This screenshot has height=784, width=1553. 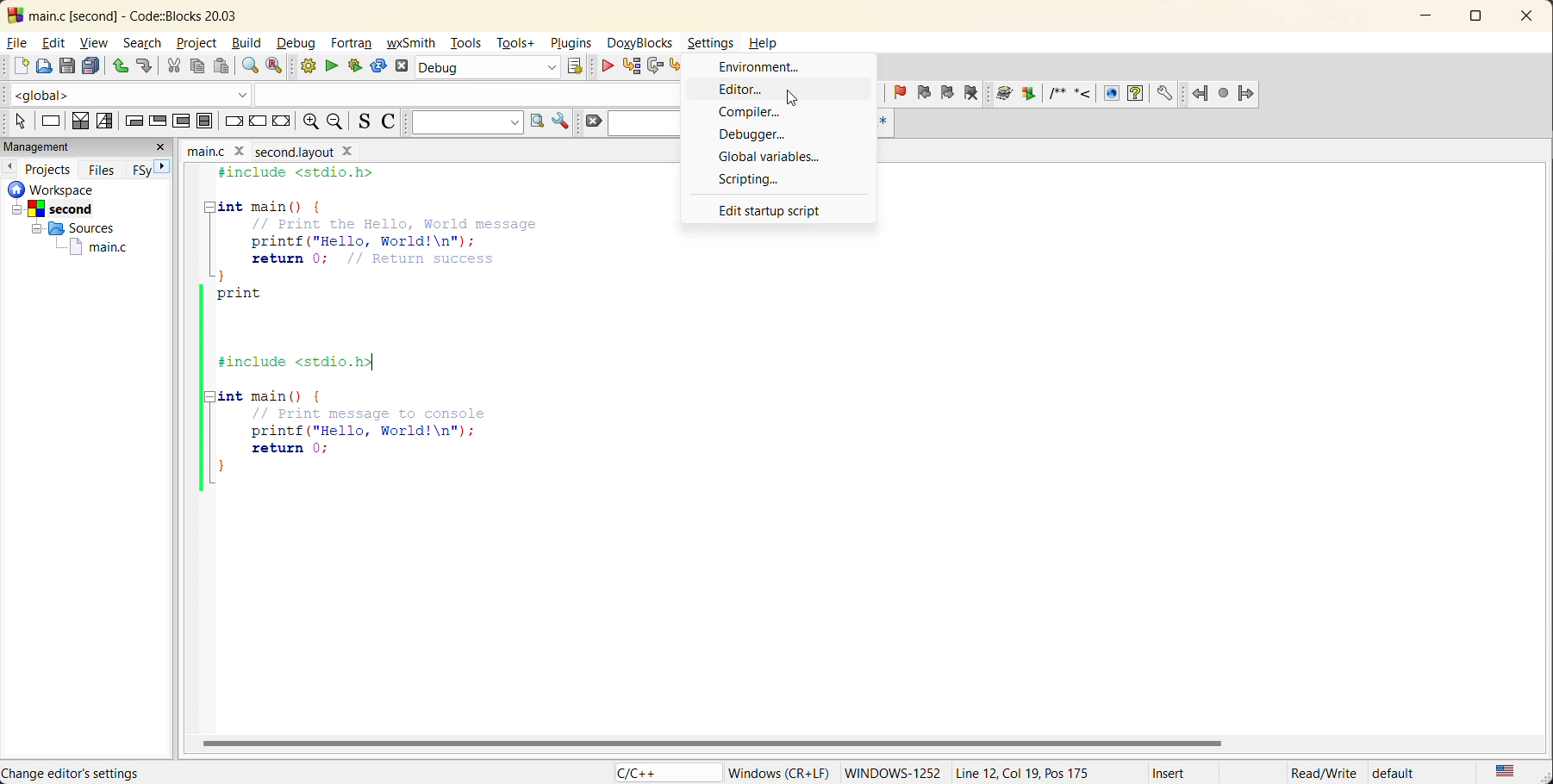 I want to click on counting loop, so click(x=183, y=121).